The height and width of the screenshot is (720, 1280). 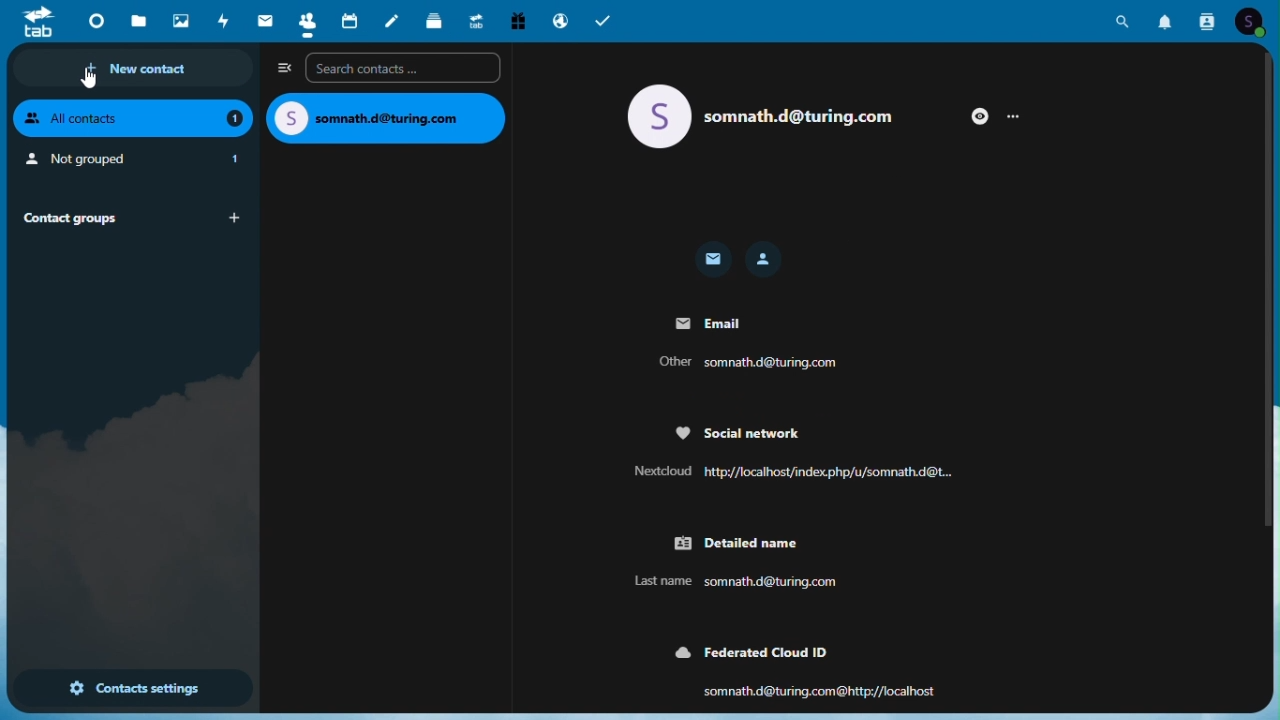 I want to click on Collapse side bar, so click(x=283, y=67).